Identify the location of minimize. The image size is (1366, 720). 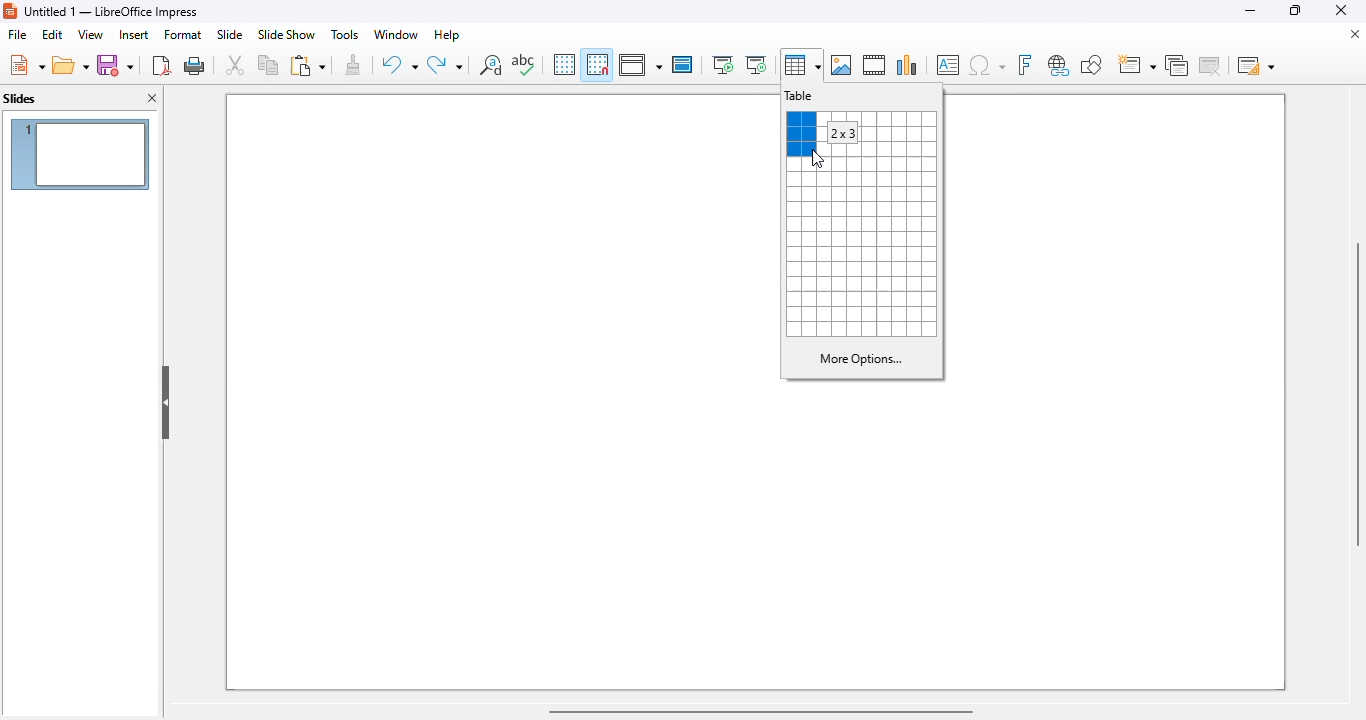
(1252, 11).